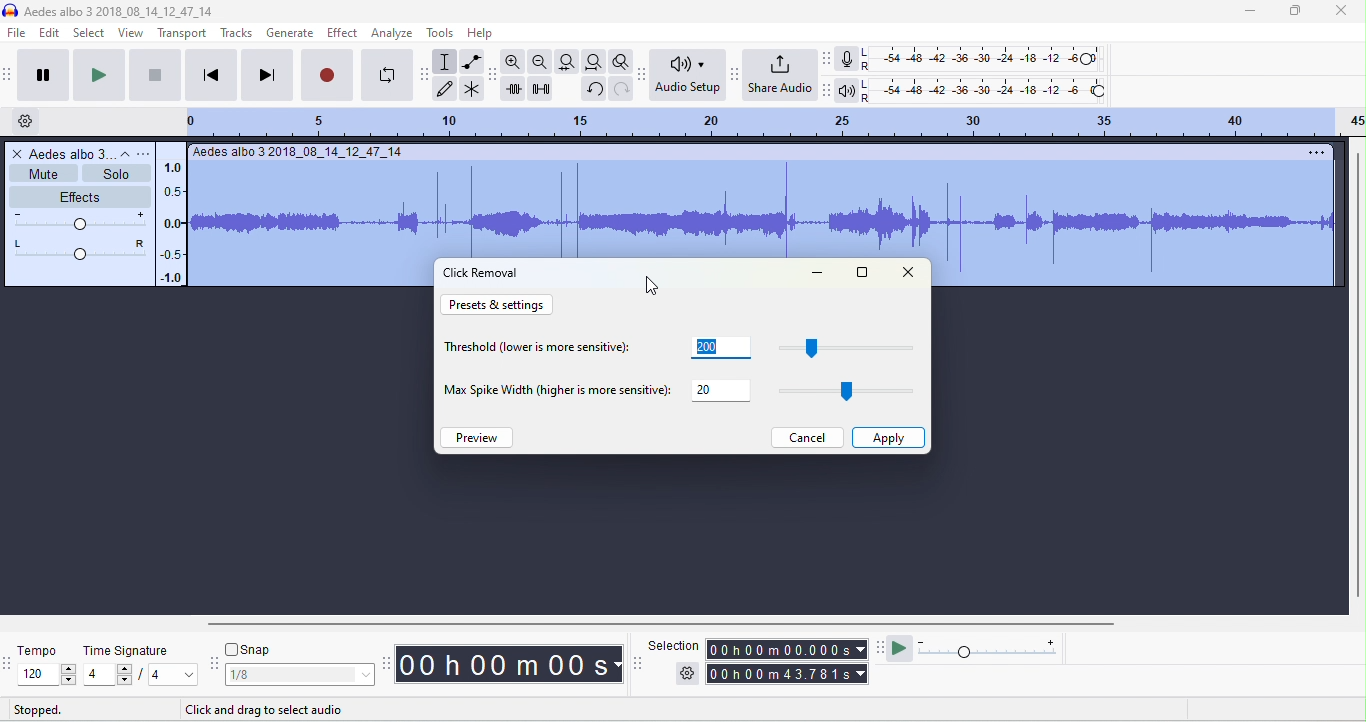  I want to click on play, so click(98, 73).